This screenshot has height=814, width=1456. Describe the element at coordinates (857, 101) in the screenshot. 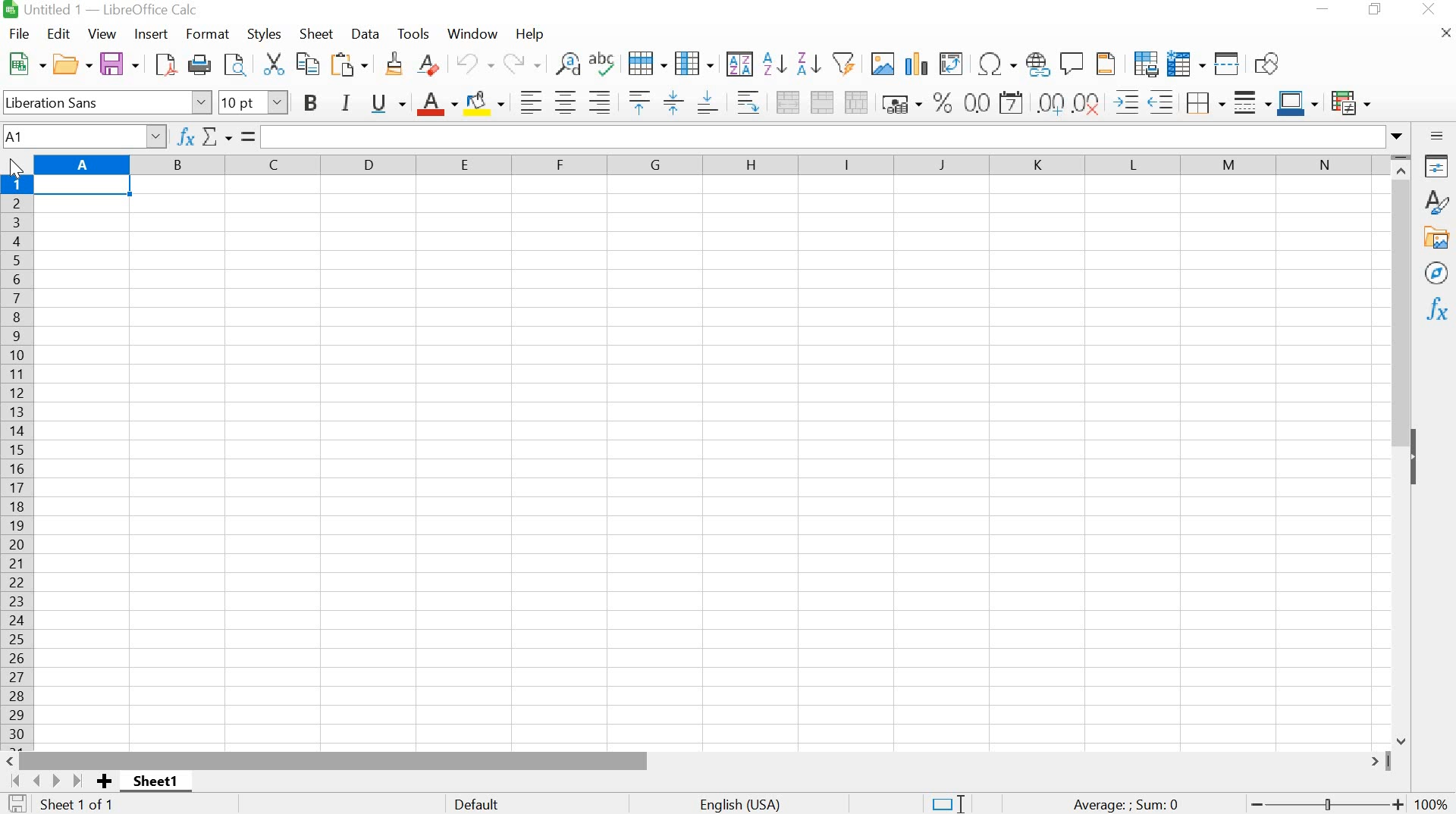

I see `Unmerge Cells` at that location.